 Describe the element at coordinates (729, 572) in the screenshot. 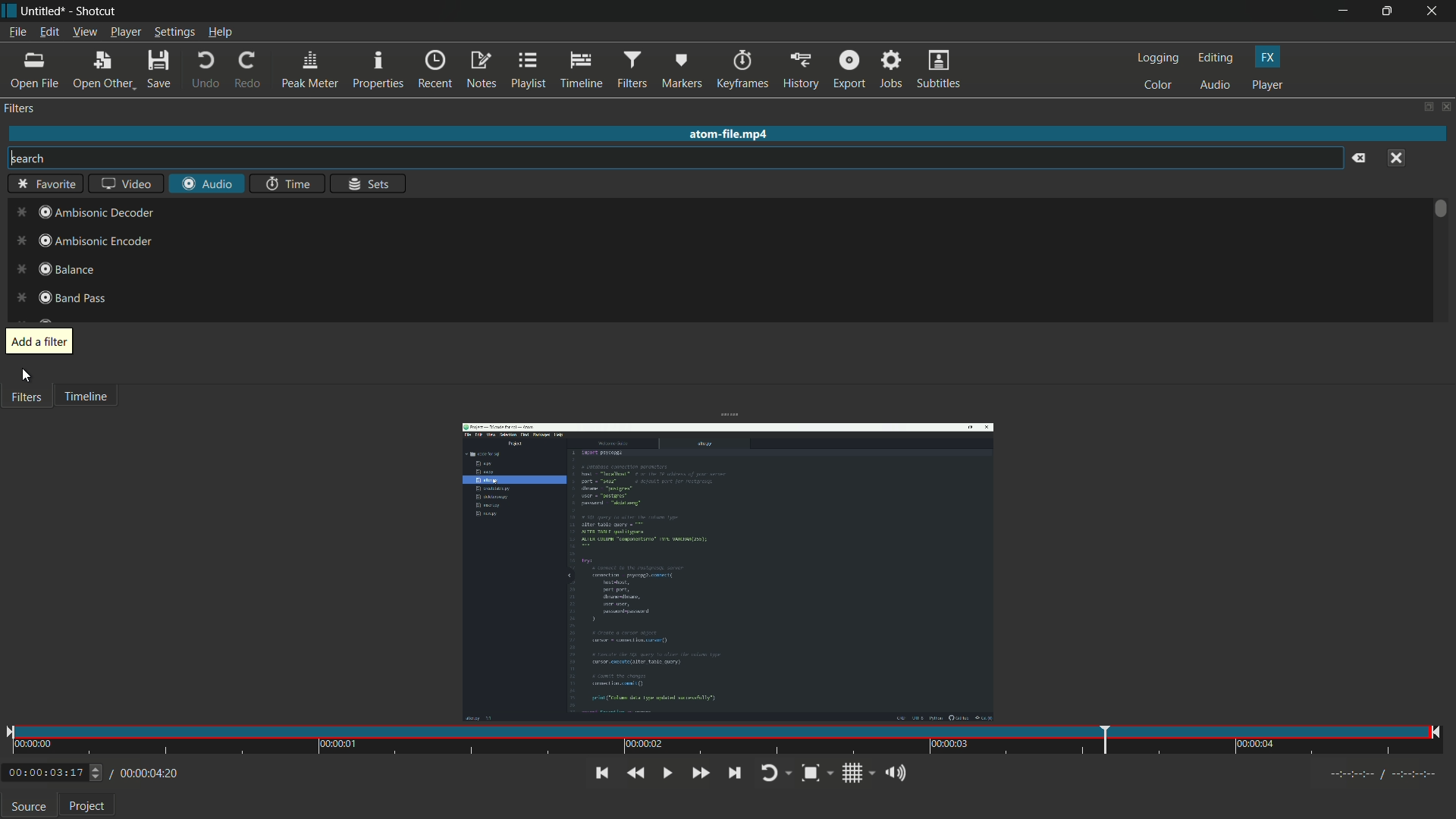

I see `imported video` at that location.